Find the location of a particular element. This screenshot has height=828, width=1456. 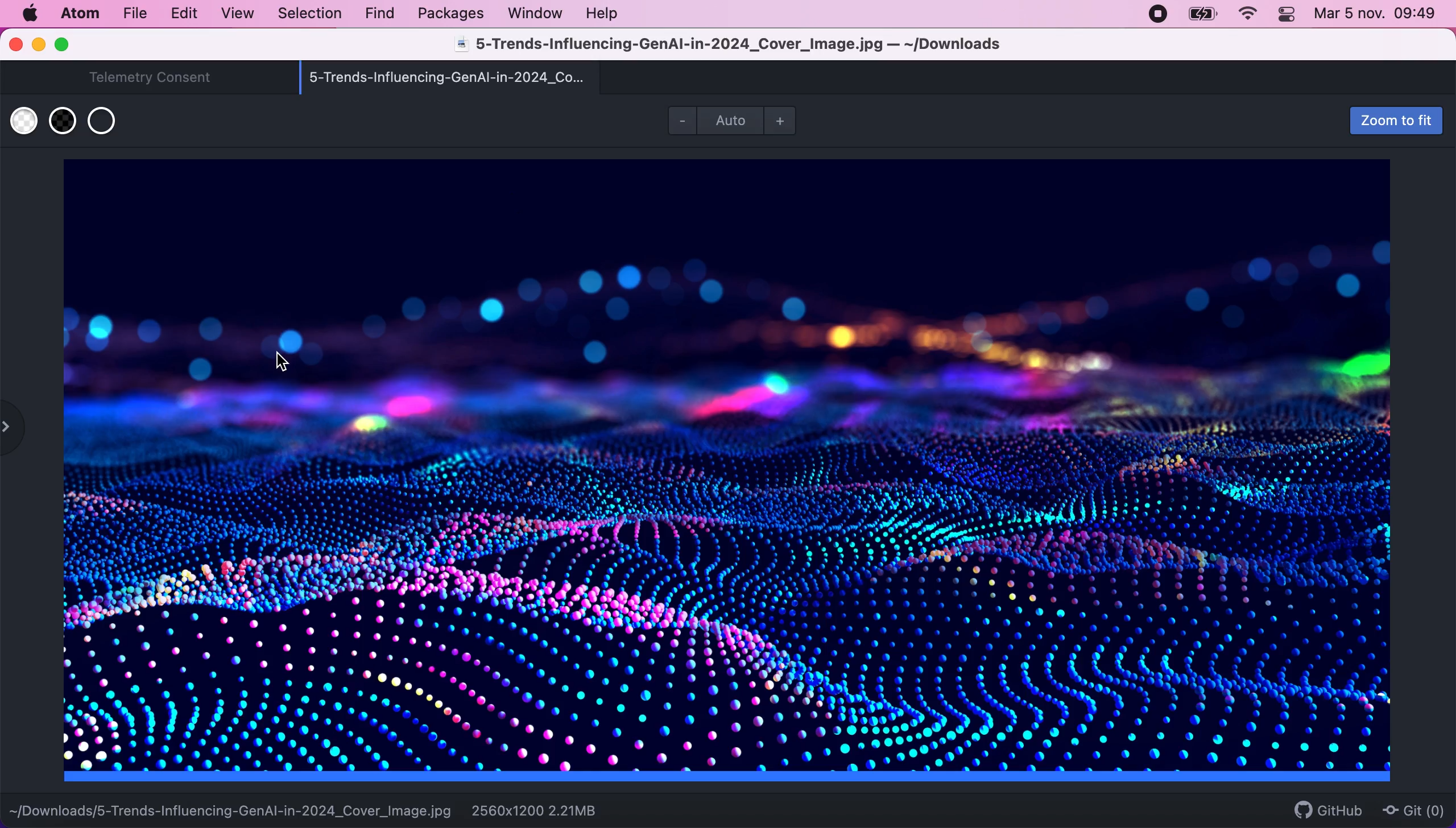

mac logo is located at coordinates (31, 13).